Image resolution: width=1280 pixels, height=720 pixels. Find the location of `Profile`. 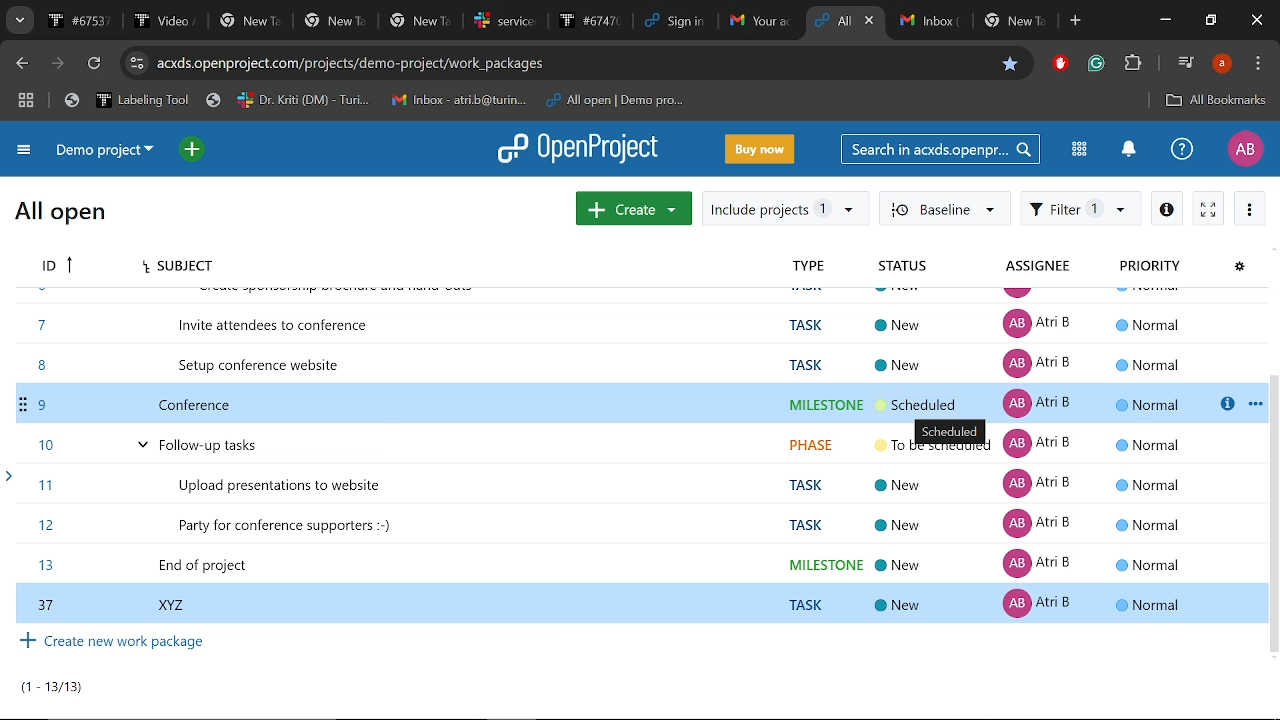

Profile is located at coordinates (1221, 64).